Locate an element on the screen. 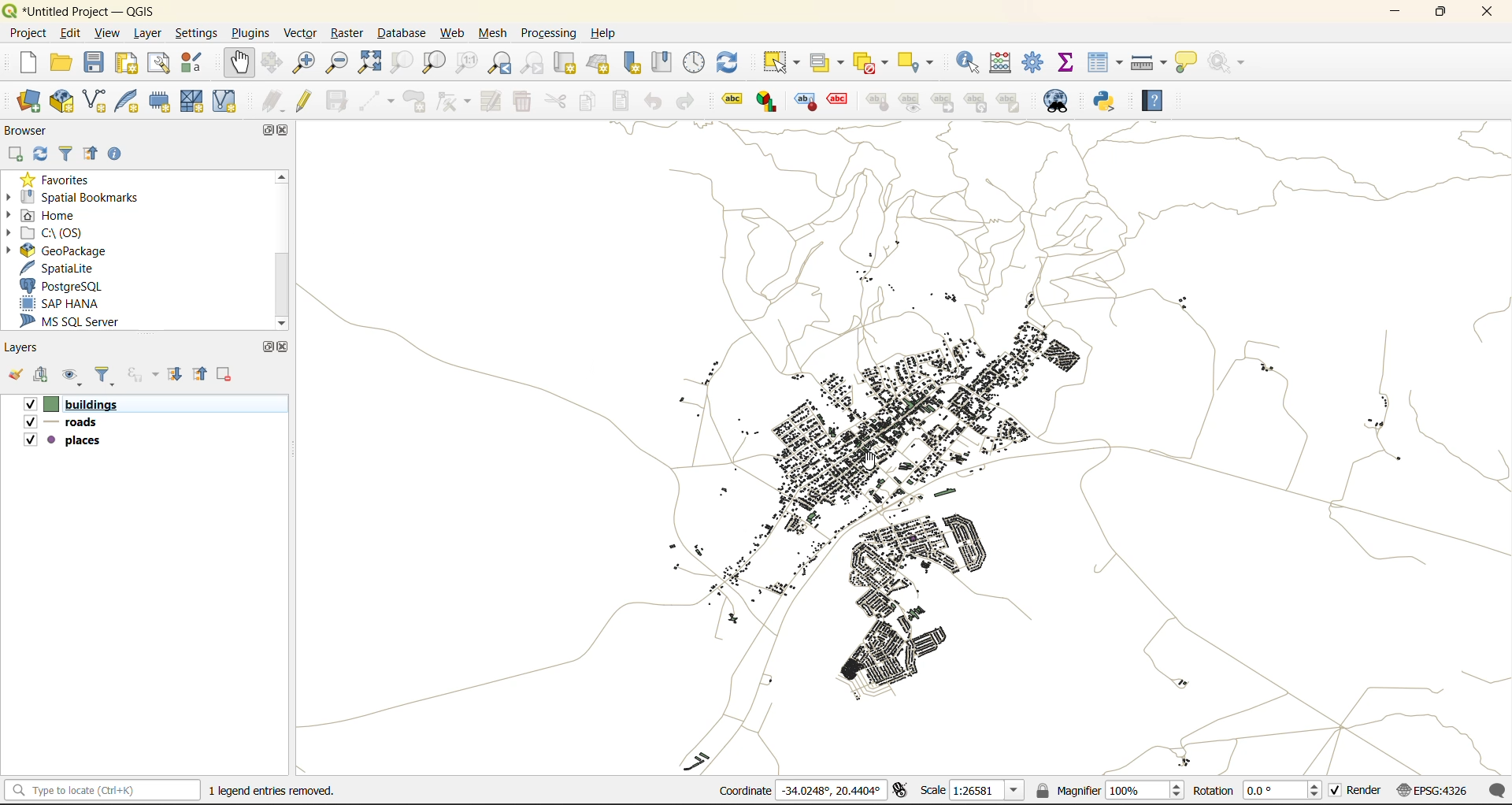 The image size is (1512, 805). sap hana is located at coordinates (65, 304).